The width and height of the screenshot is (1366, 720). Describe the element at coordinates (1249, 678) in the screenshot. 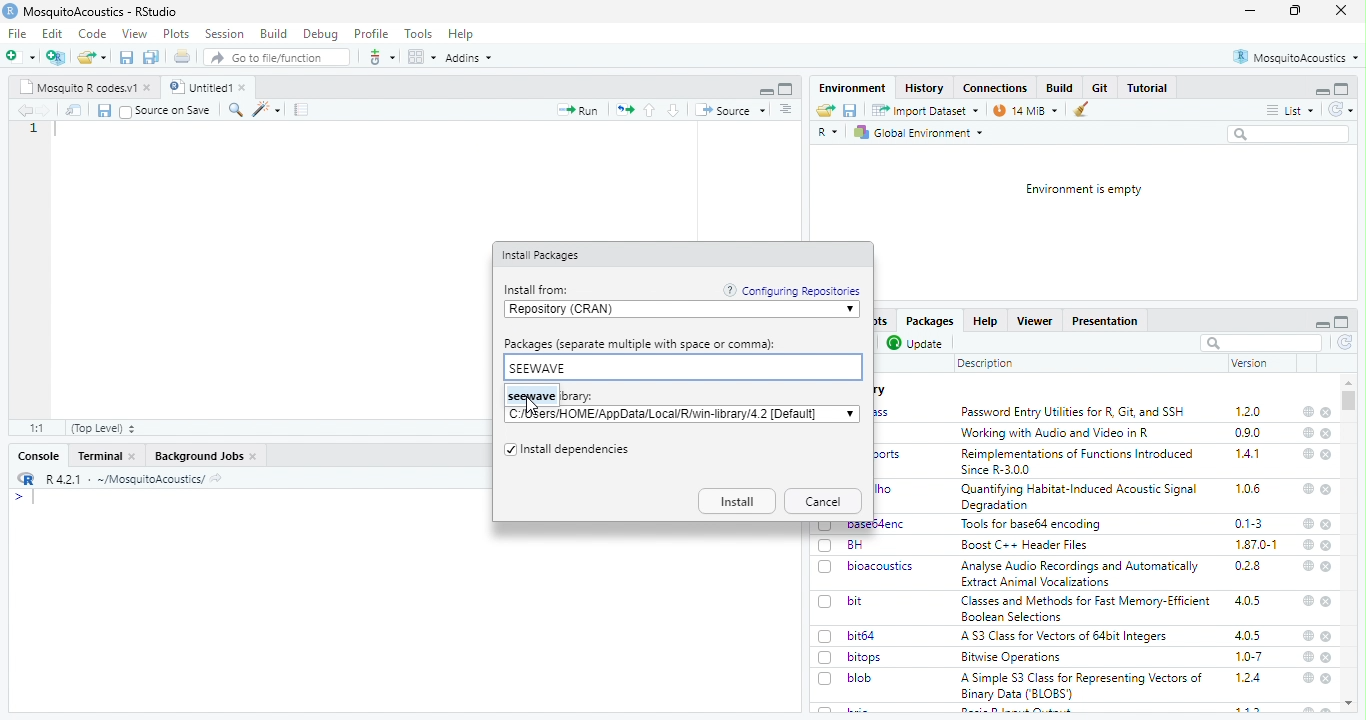

I see `124` at that location.